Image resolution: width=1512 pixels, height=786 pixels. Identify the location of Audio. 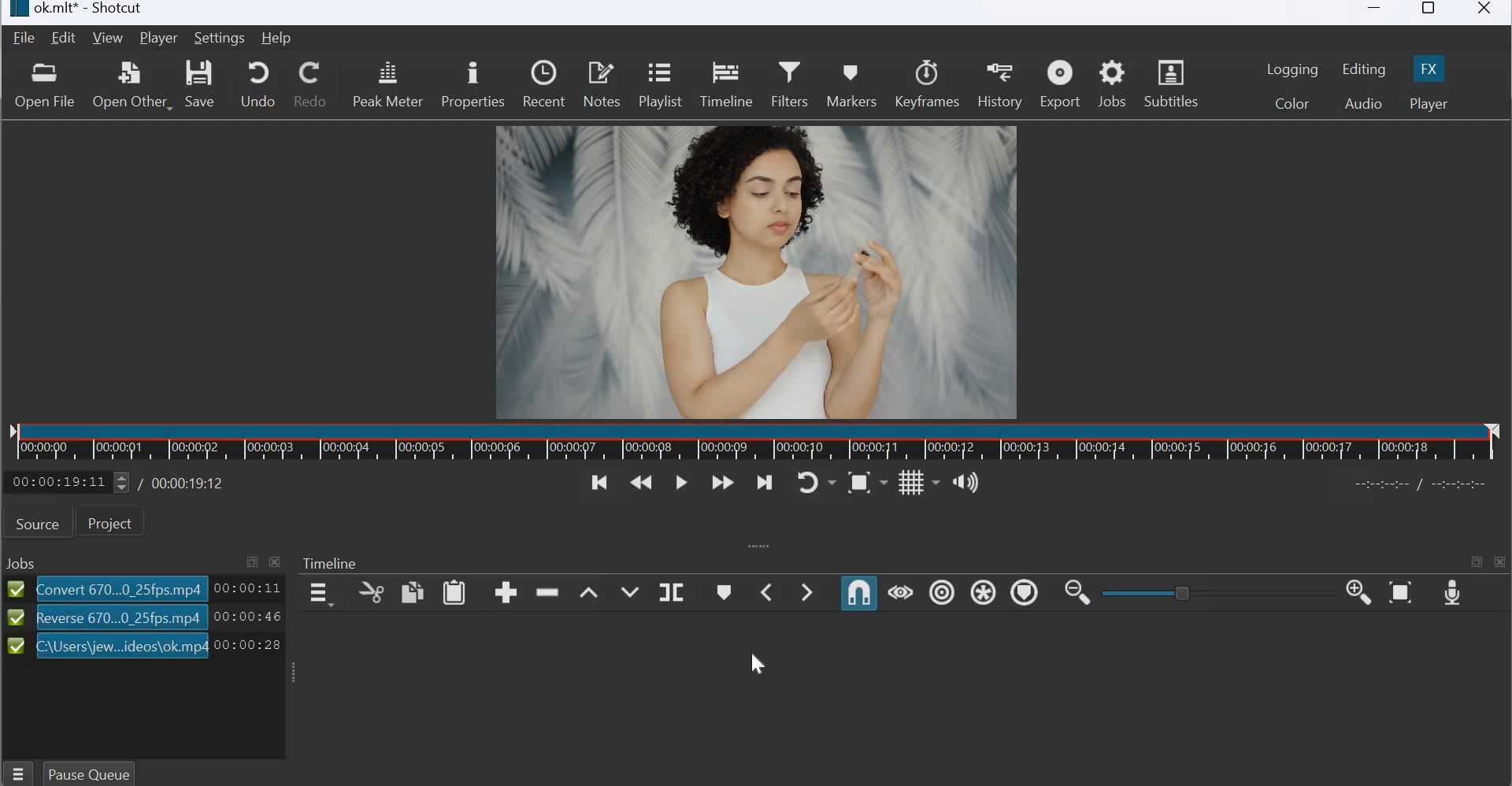
(1362, 102).